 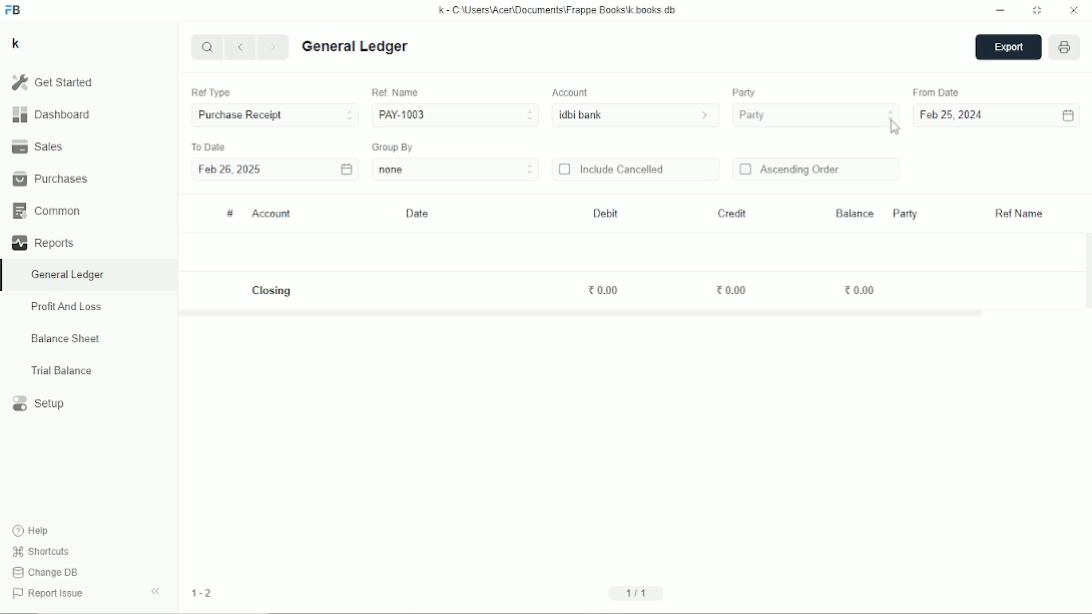 What do you see at coordinates (208, 146) in the screenshot?
I see `To date` at bounding box center [208, 146].